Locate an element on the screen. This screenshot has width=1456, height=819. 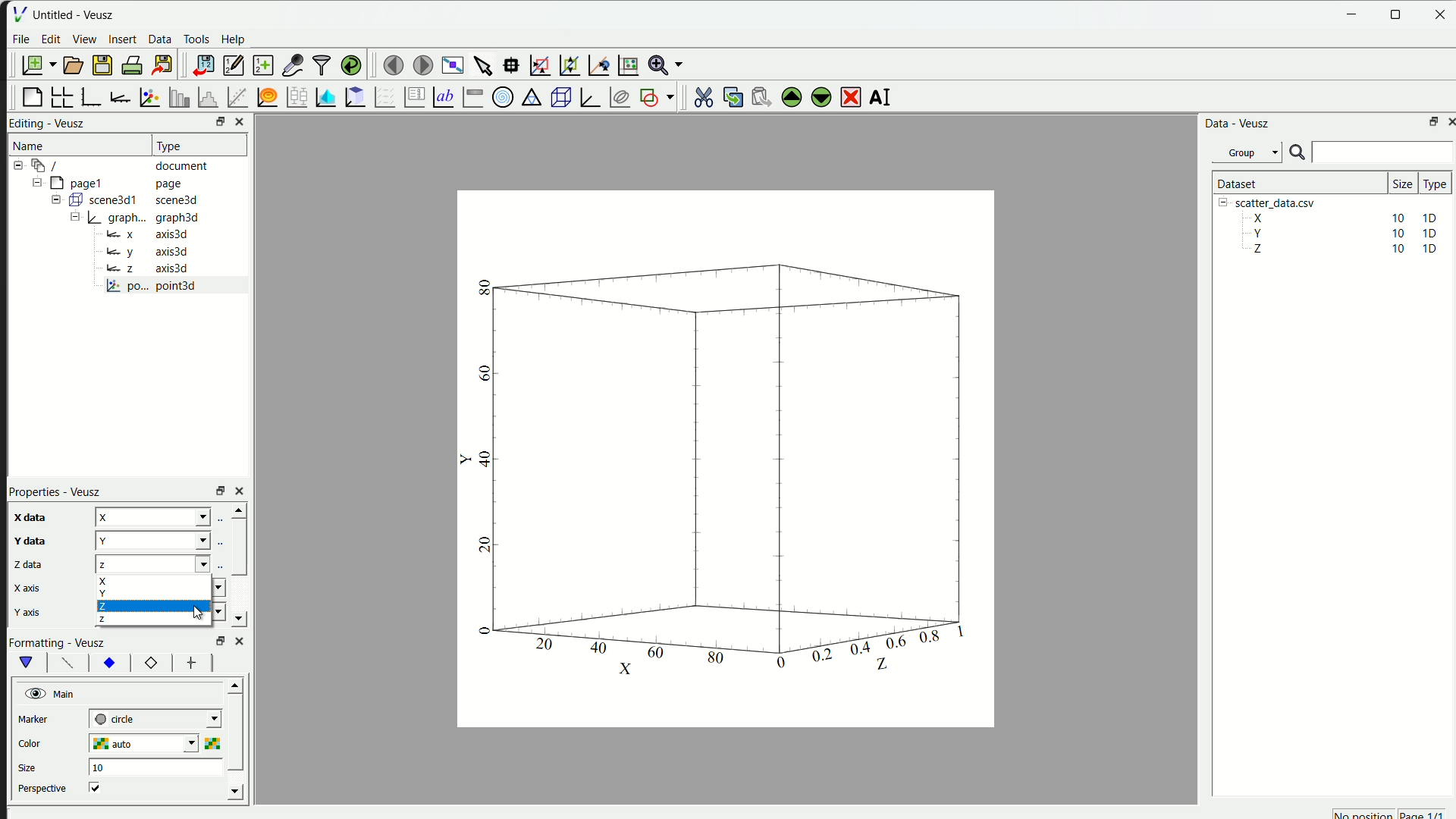
plot key is located at coordinates (411, 98).